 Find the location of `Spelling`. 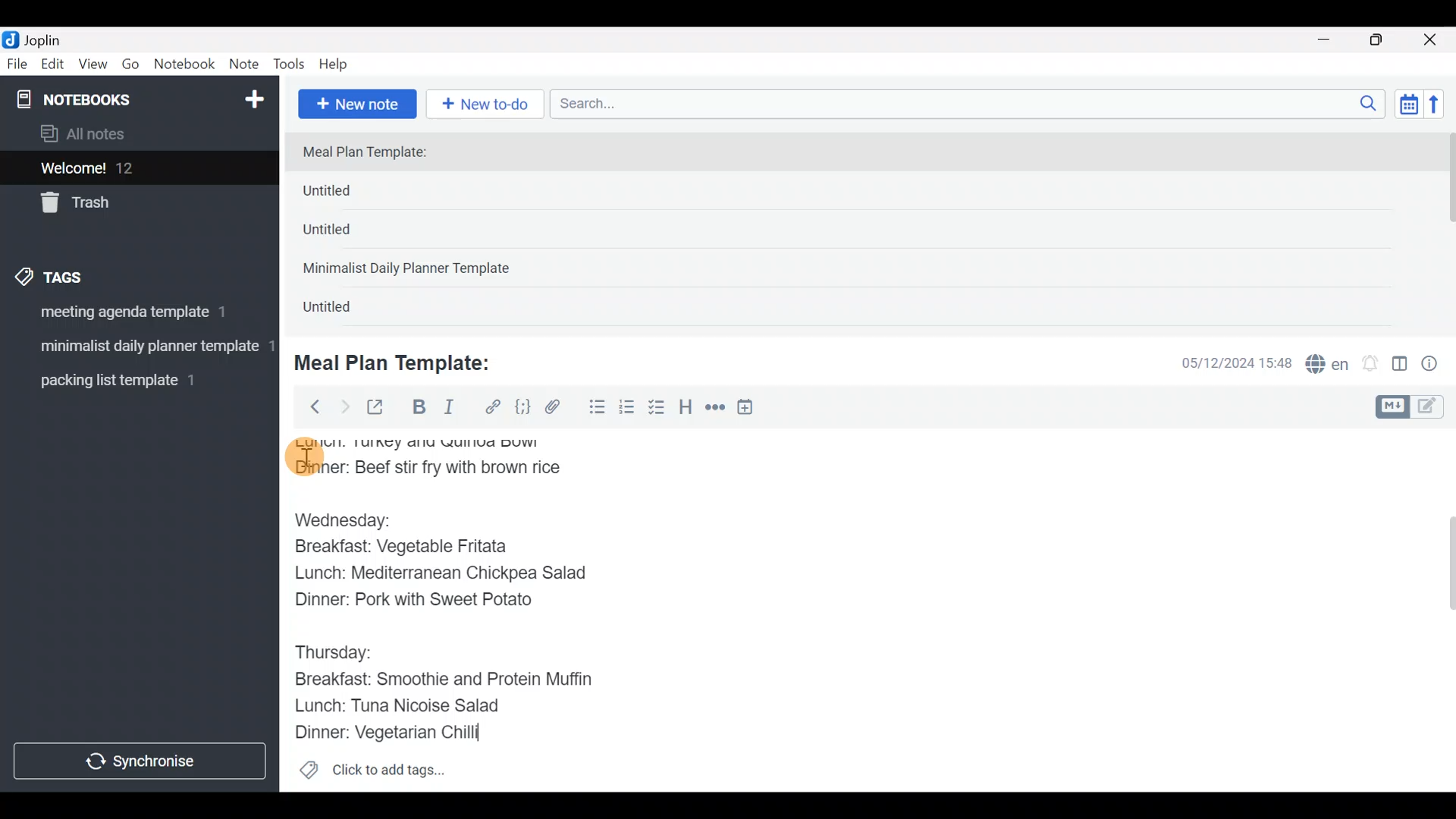

Spelling is located at coordinates (1328, 366).